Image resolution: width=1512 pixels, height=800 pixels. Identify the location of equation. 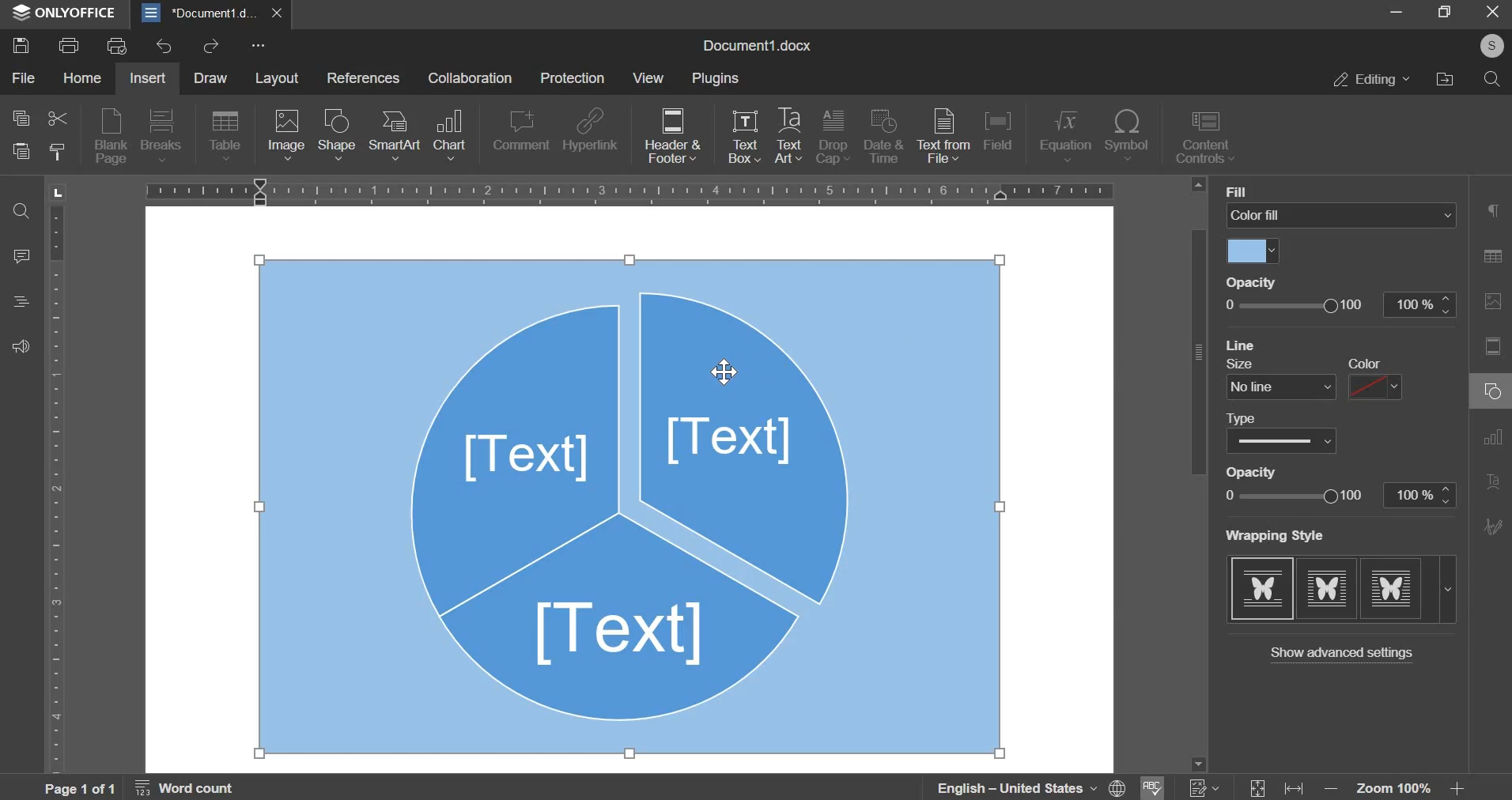
(1066, 137).